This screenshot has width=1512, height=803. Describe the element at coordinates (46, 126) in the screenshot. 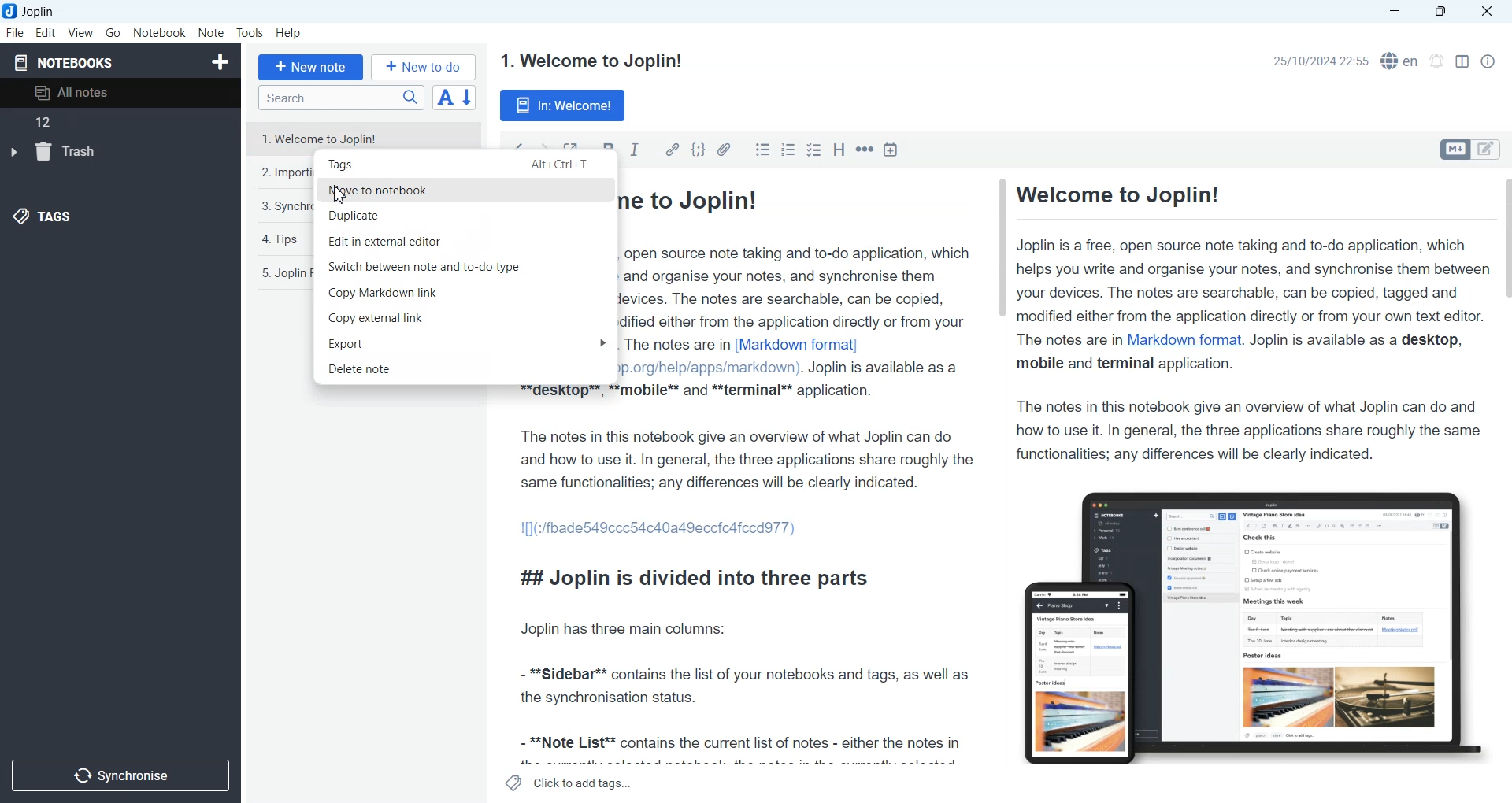

I see `12` at that location.